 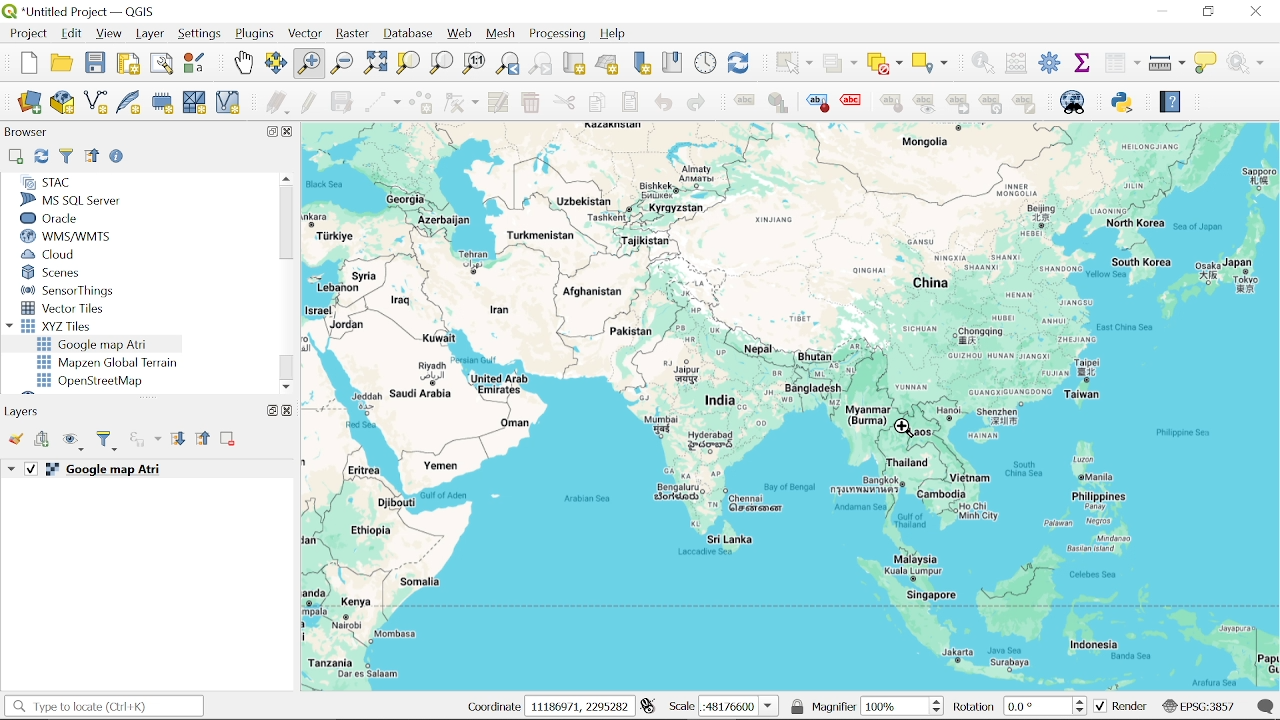 What do you see at coordinates (564, 103) in the screenshot?
I see `Cut feature` at bounding box center [564, 103].